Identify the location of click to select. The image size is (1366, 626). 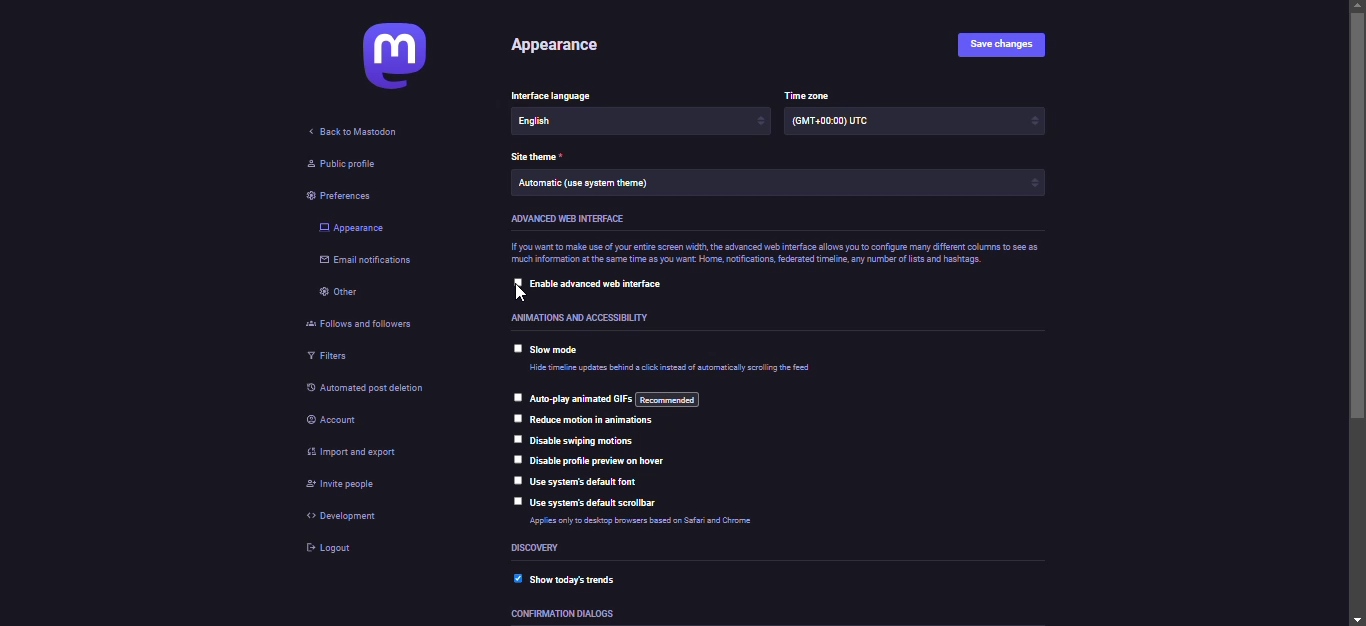
(517, 440).